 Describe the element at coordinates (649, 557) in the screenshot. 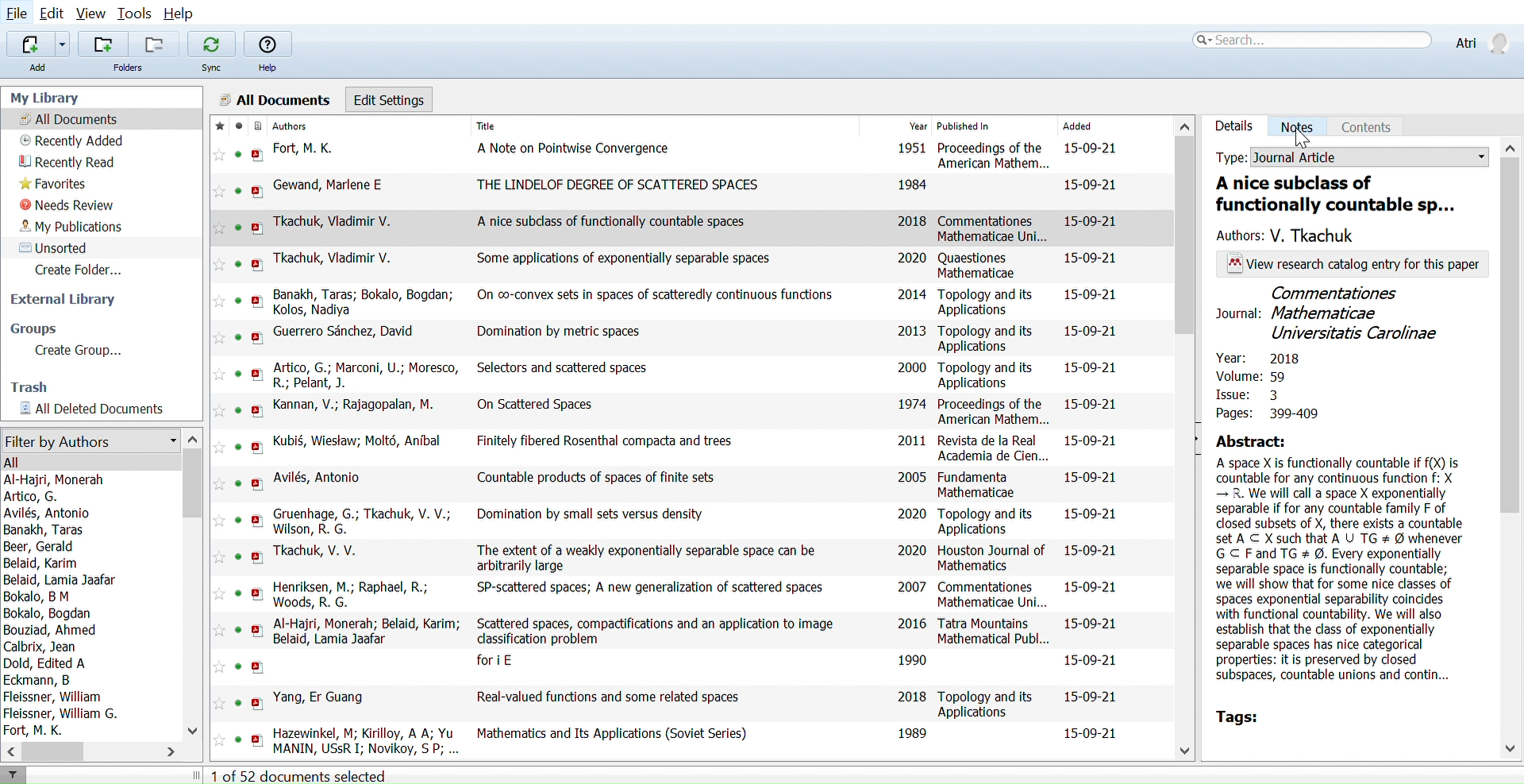

I see `The extent of a weakly exponentially separable space can be arbitrarily large` at that location.